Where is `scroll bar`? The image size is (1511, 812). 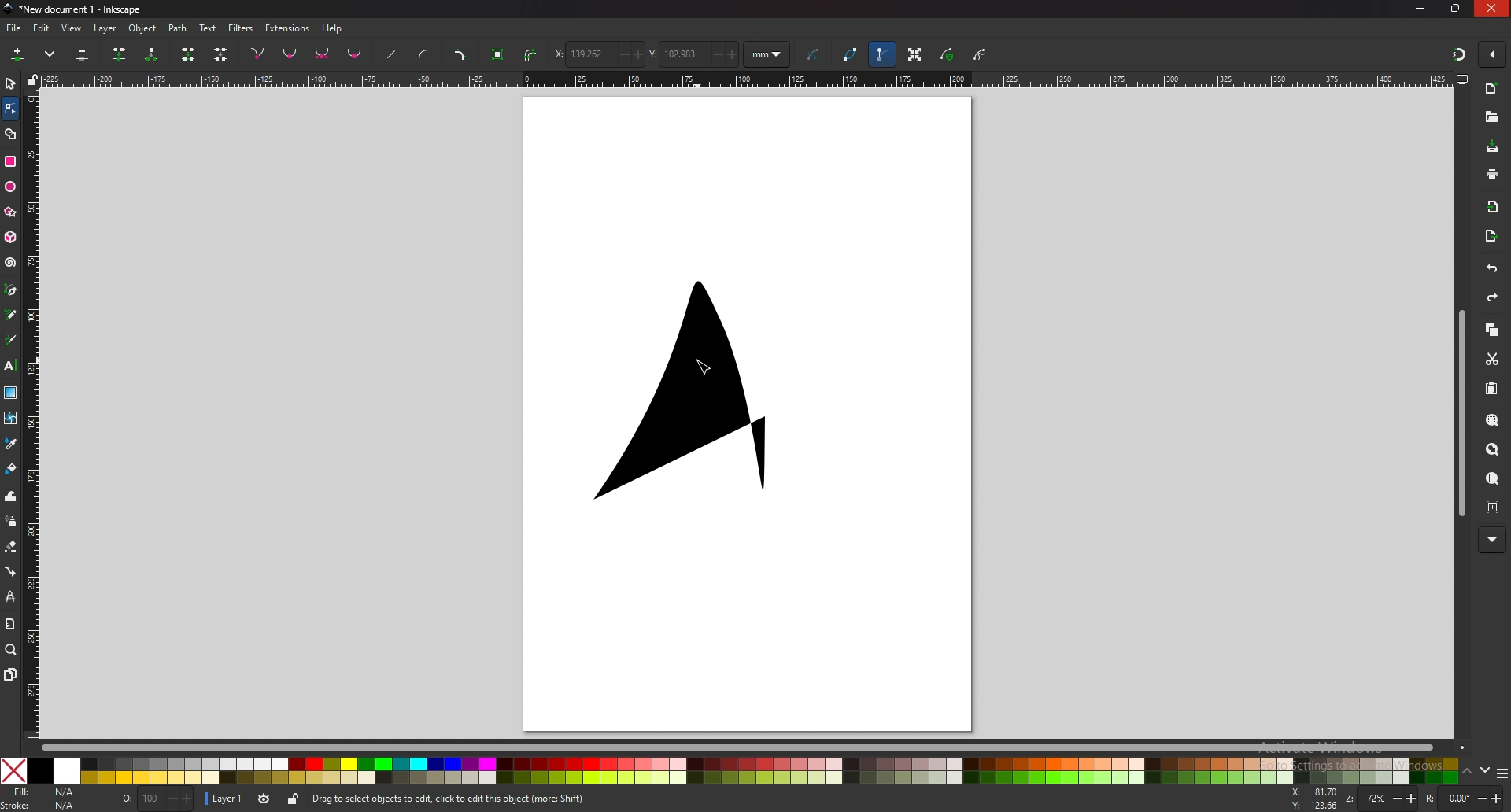 scroll bar is located at coordinates (755, 747).